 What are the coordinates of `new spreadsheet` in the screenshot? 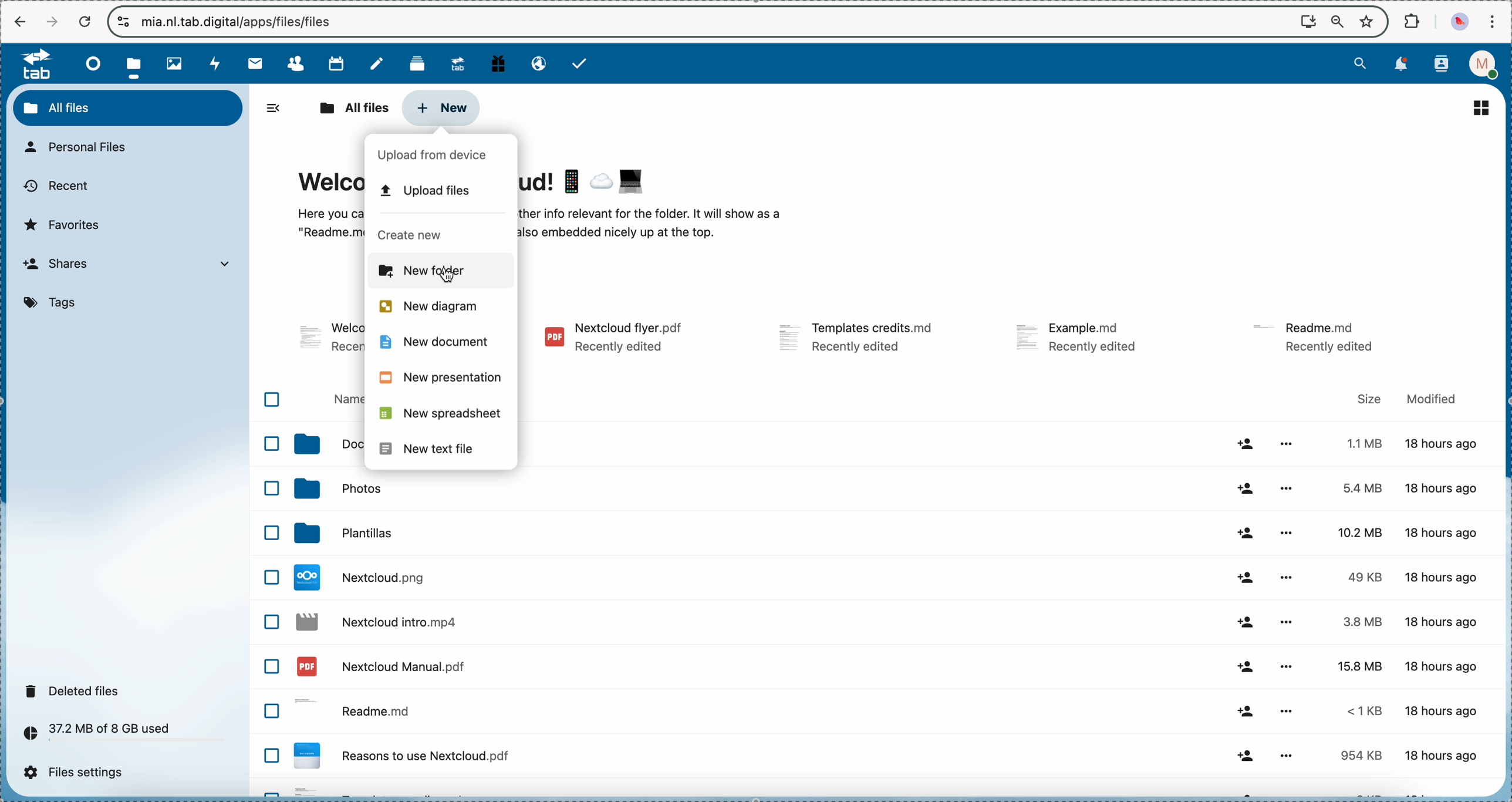 It's located at (441, 415).